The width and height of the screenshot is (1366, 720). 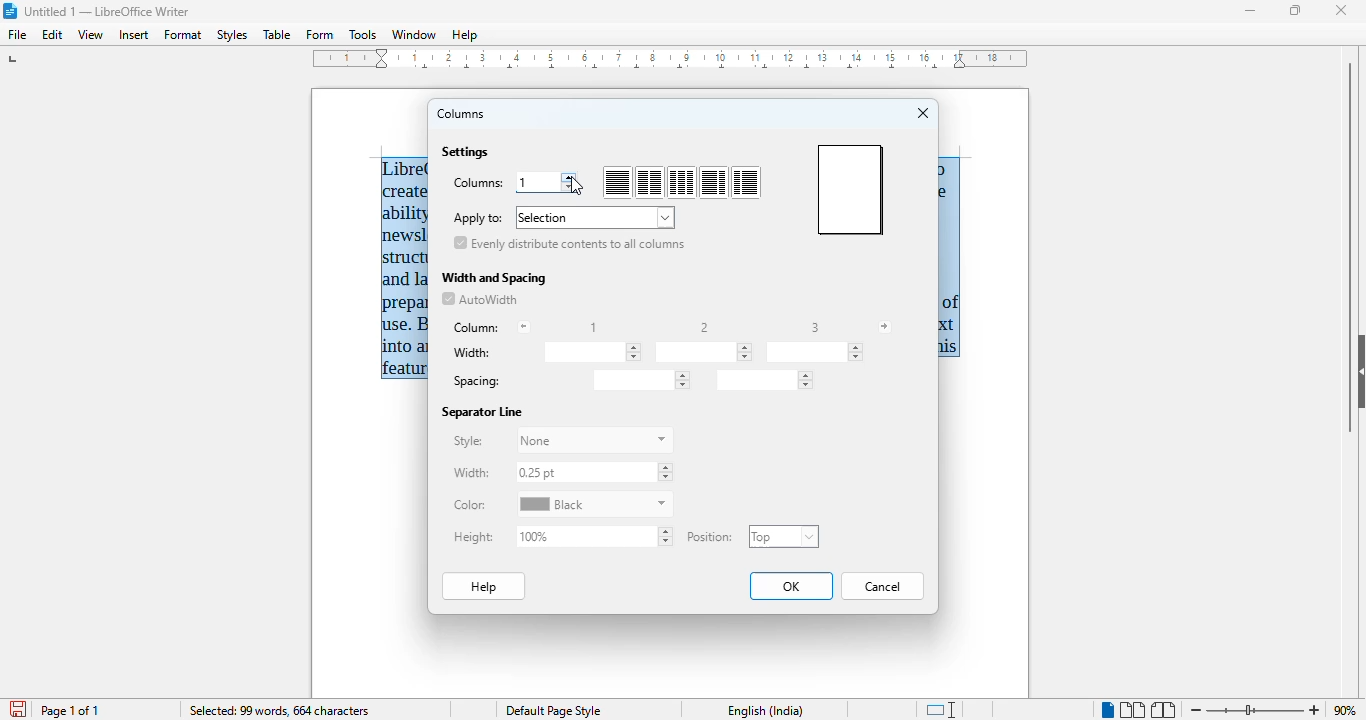 I want to click on width 2, so click(x=704, y=351).